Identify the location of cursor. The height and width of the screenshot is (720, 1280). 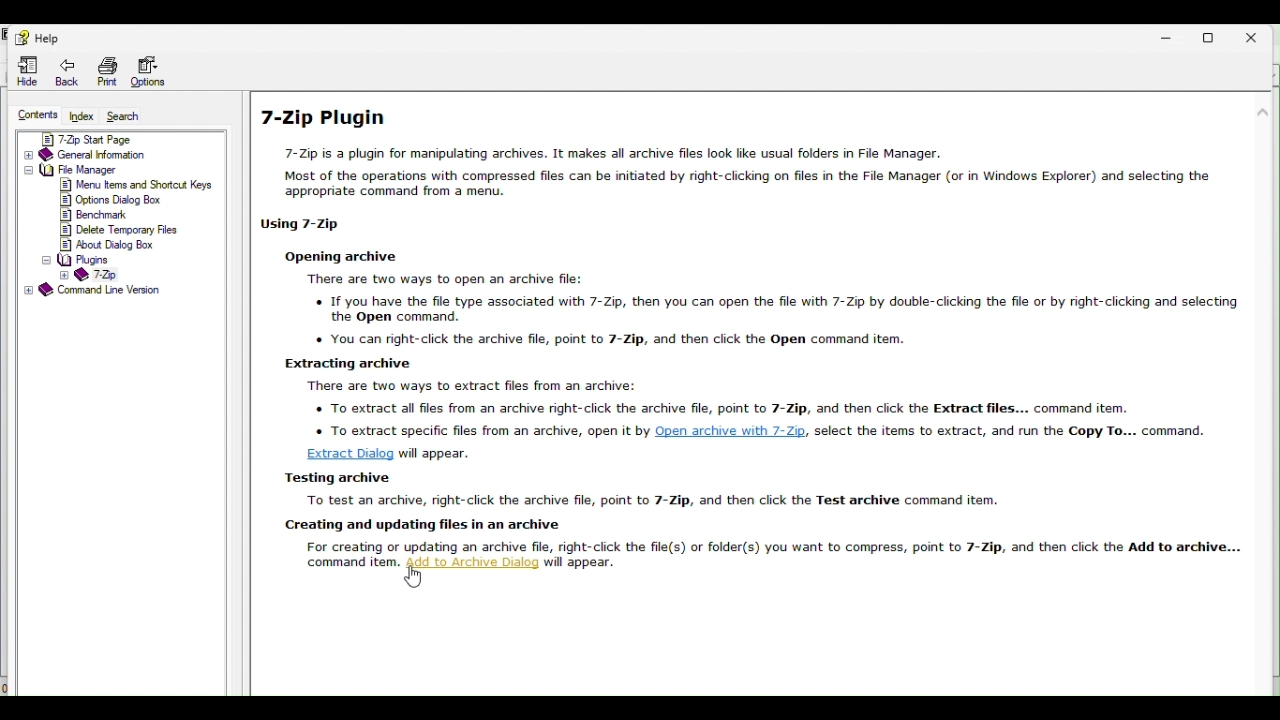
(414, 576).